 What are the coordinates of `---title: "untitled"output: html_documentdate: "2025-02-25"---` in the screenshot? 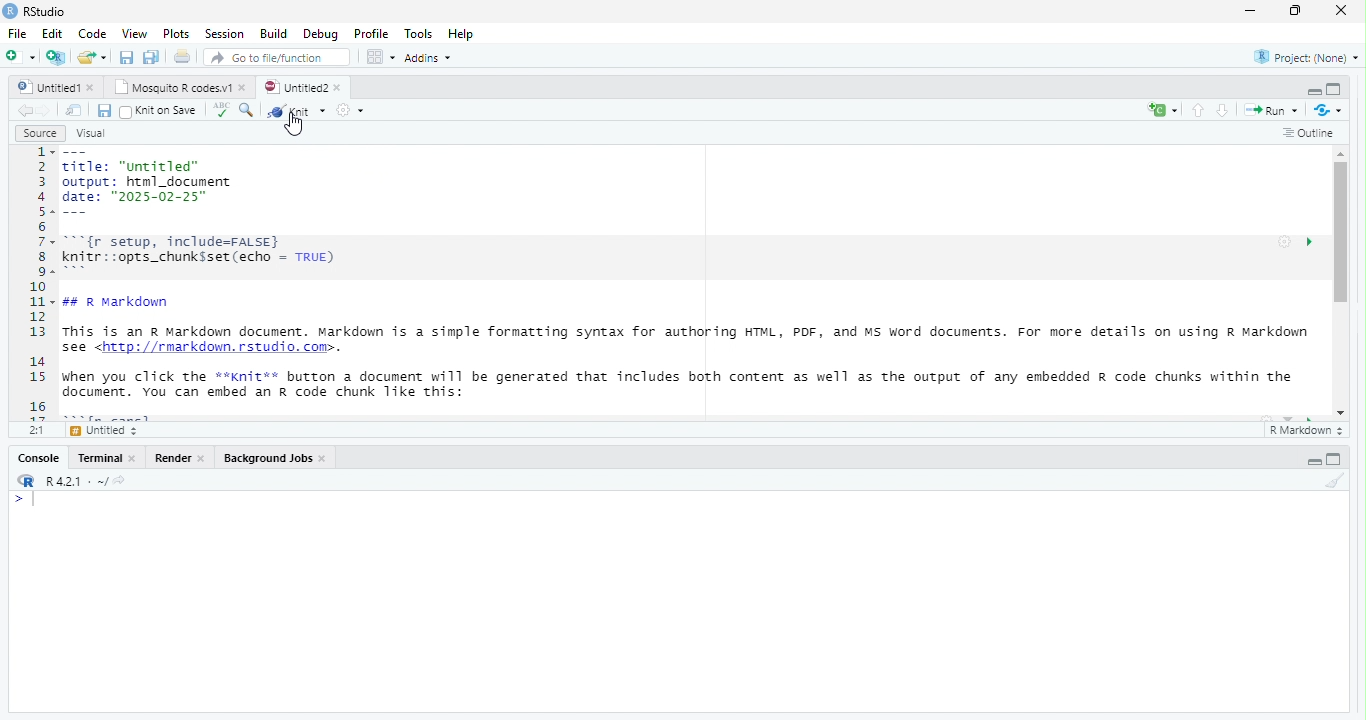 It's located at (147, 183).